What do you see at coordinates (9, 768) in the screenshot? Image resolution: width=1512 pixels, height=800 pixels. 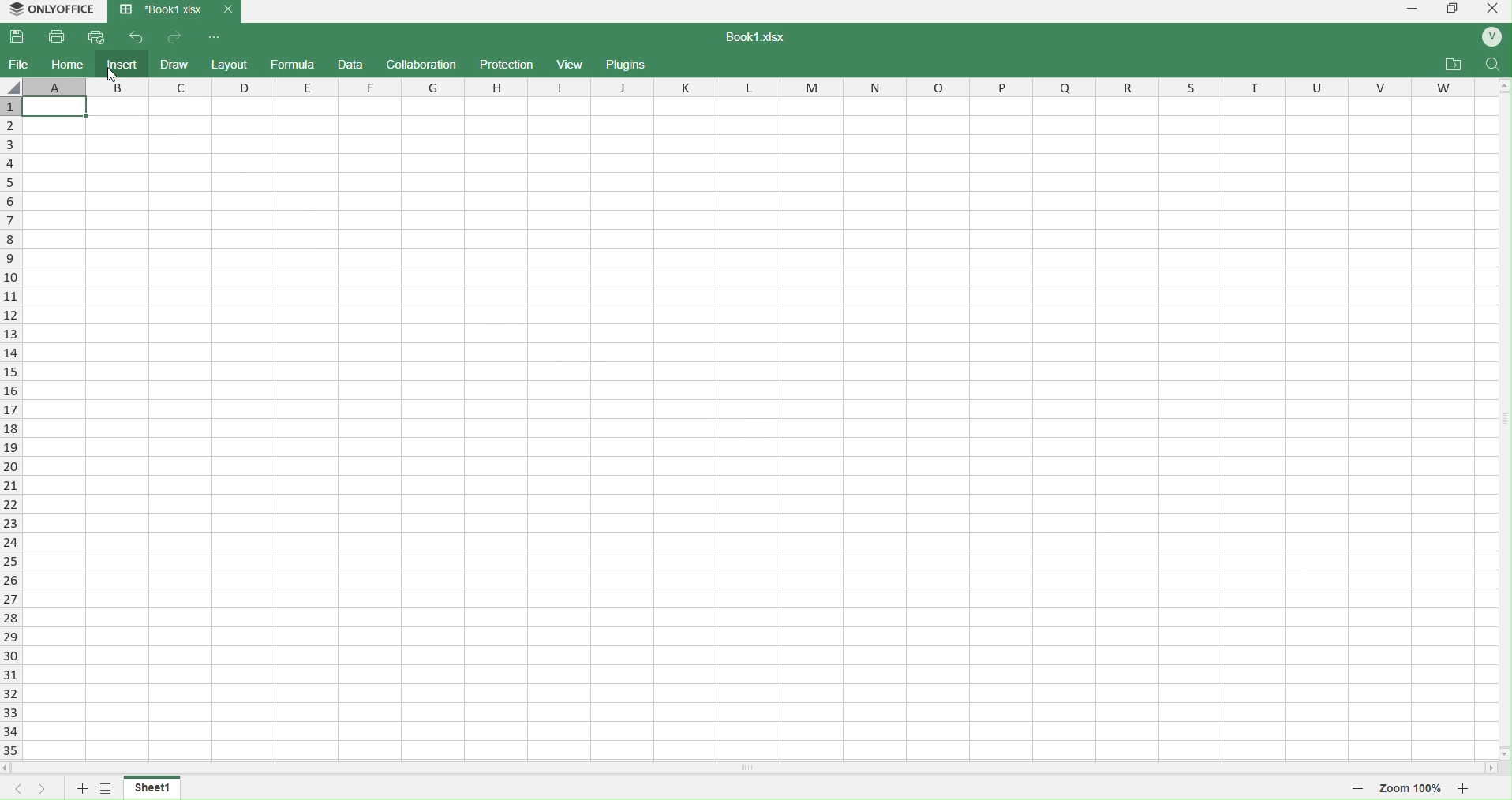 I see `move left` at bounding box center [9, 768].